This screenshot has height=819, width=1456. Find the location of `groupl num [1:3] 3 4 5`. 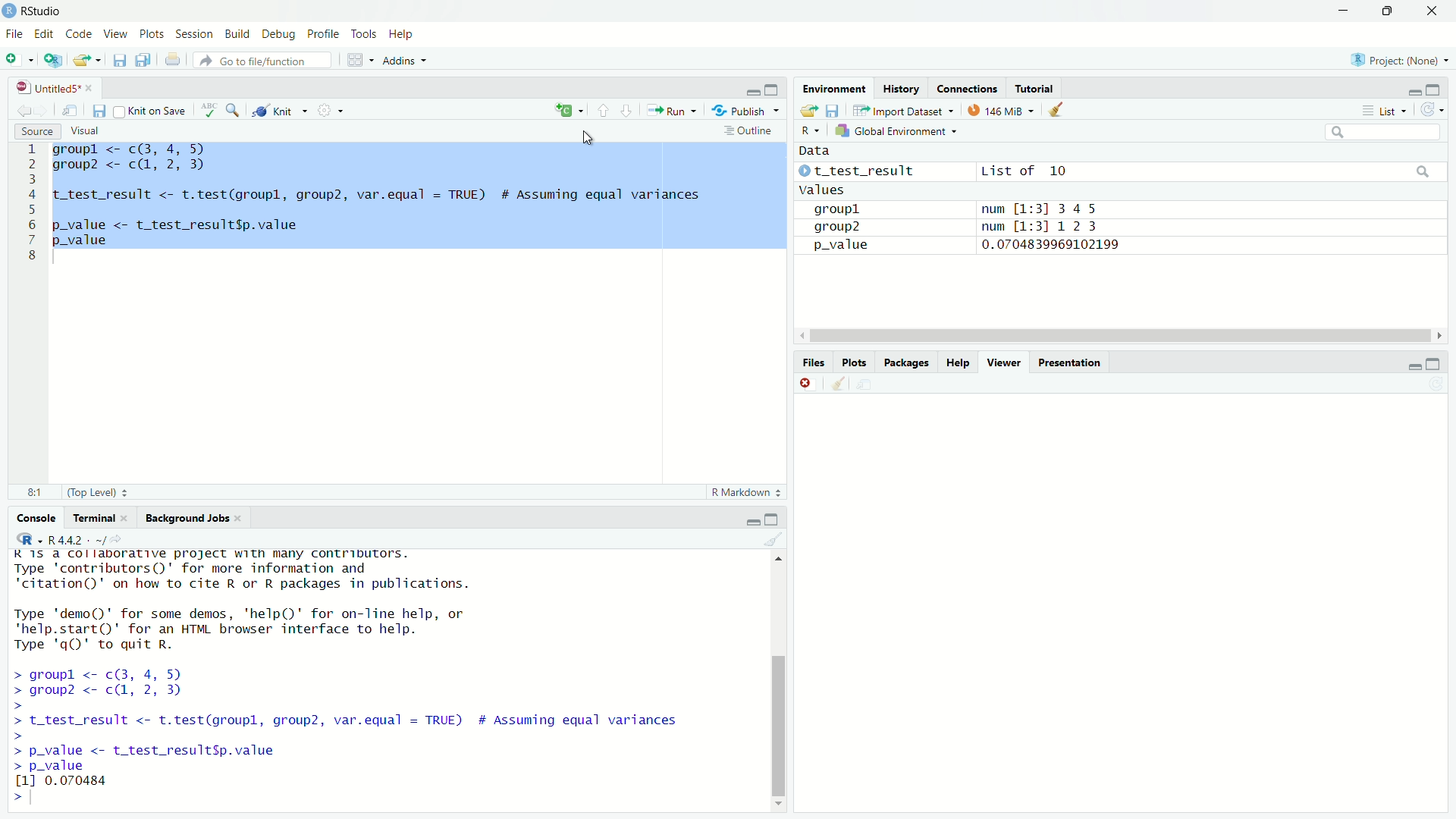

groupl num [1:3] 3 4 5 is located at coordinates (952, 208).